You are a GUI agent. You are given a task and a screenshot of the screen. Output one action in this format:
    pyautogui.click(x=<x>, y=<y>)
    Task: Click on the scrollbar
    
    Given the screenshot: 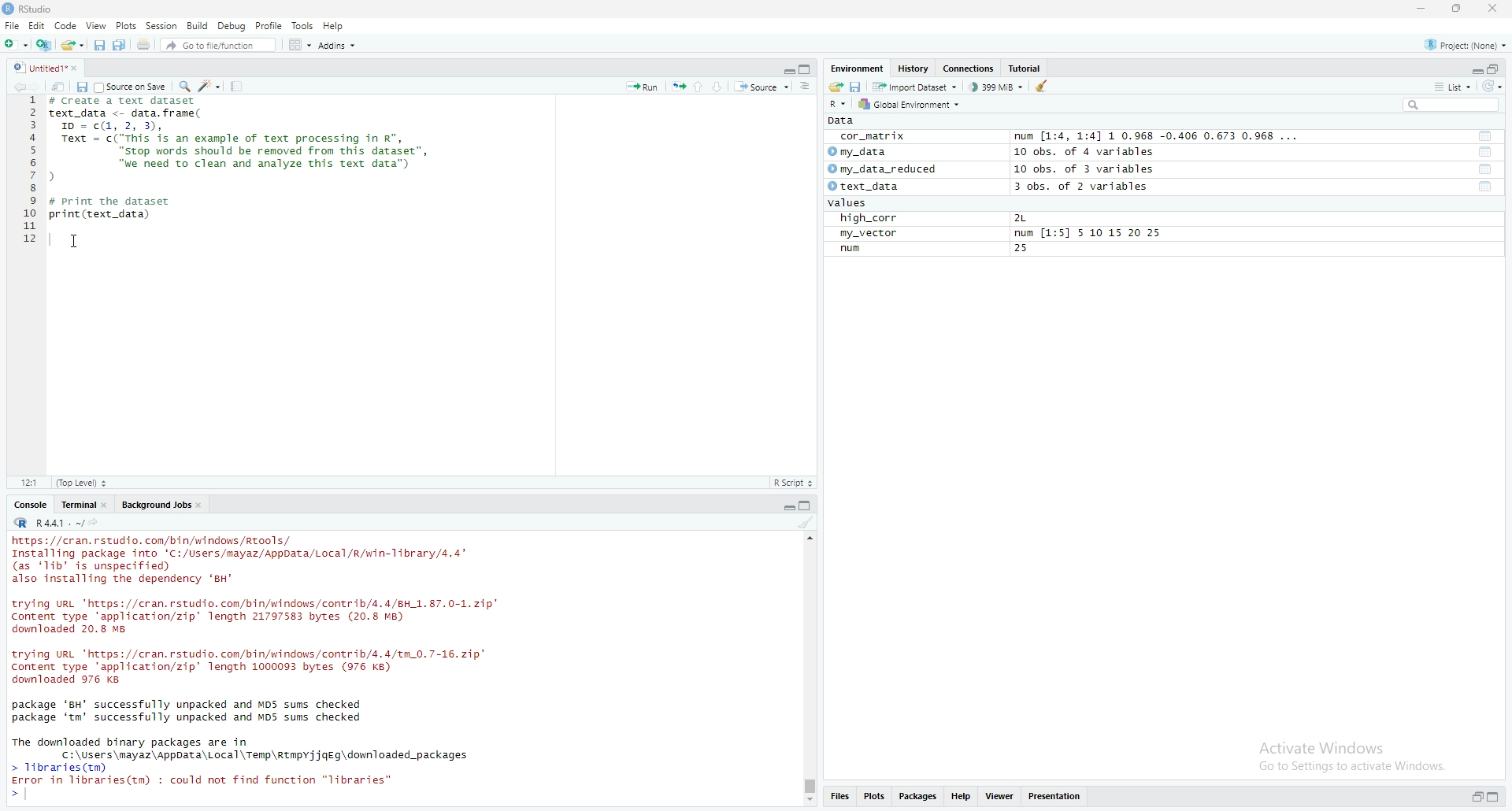 What is the action you would take?
    pyautogui.click(x=807, y=670)
    